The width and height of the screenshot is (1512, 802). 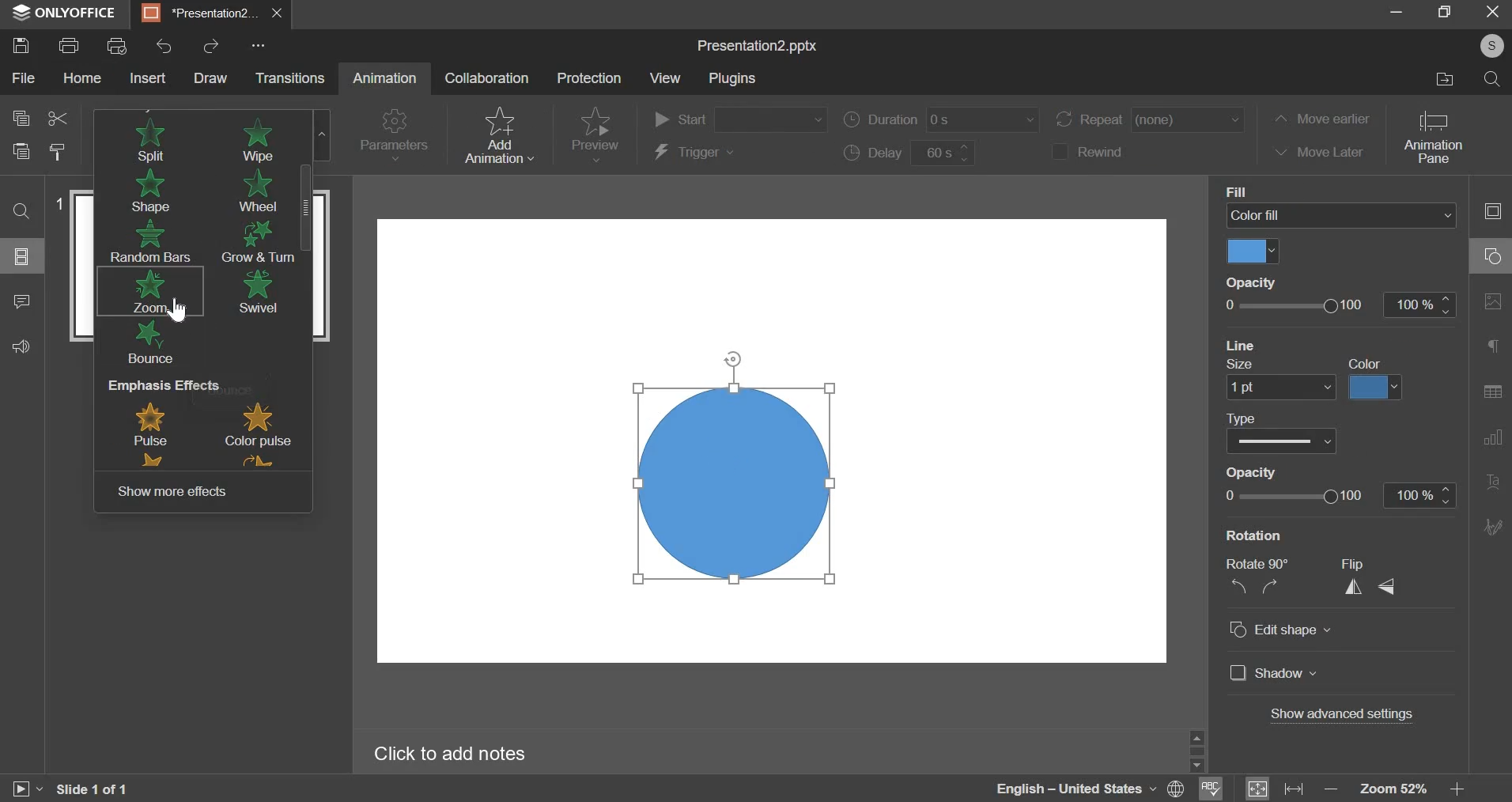 I want to click on edit shape, so click(x=1279, y=630).